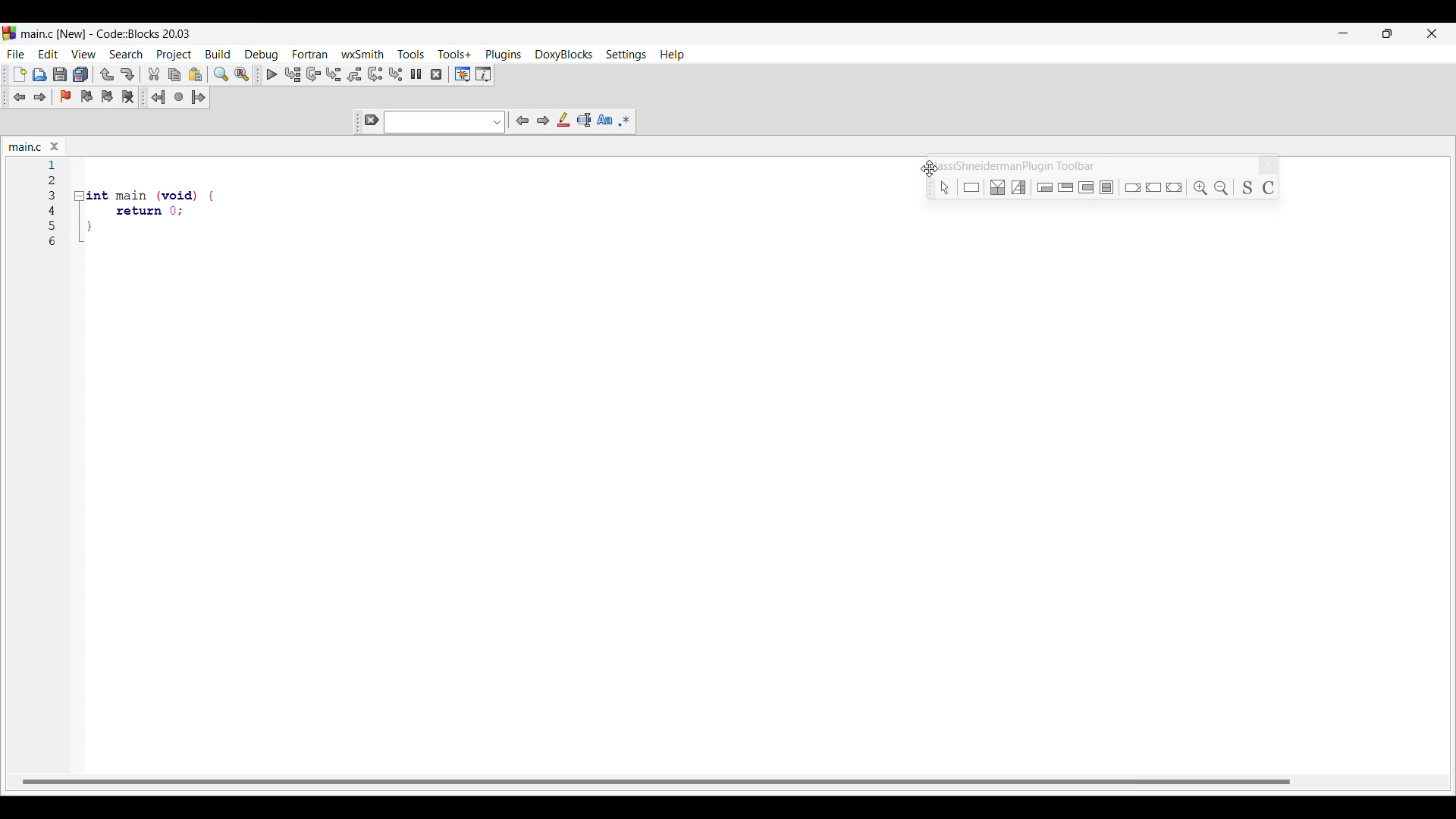 The width and height of the screenshot is (1456, 819). What do you see at coordinates (87, 96) in the screenshot?
I see `Previous bookmark` at bounding box center [87, 96].